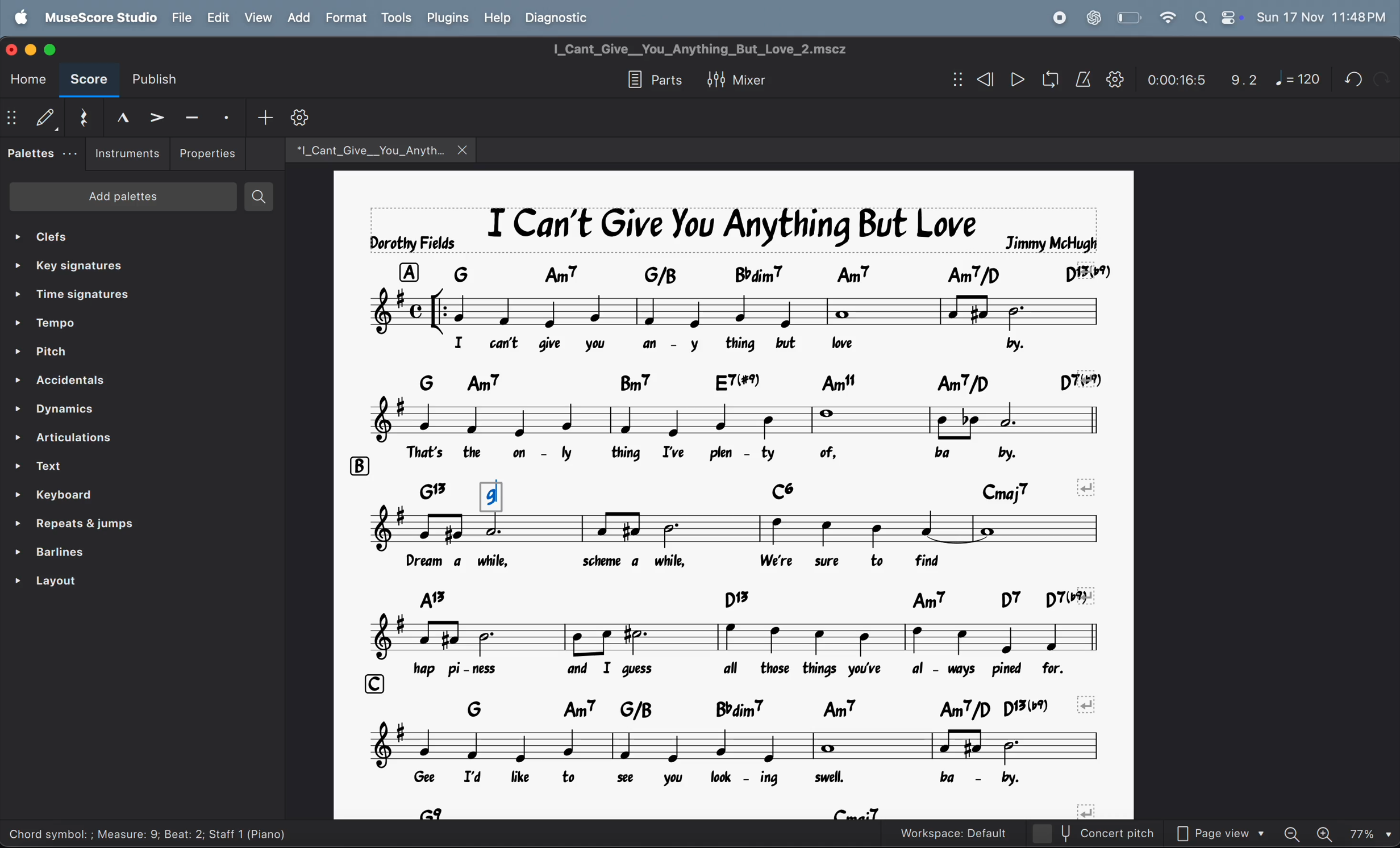 The image size is (1400, 848). What do you see at coordinates (1116, 79) in the screenshot?
I see `settings playback` at bounding box center [1116, 79].